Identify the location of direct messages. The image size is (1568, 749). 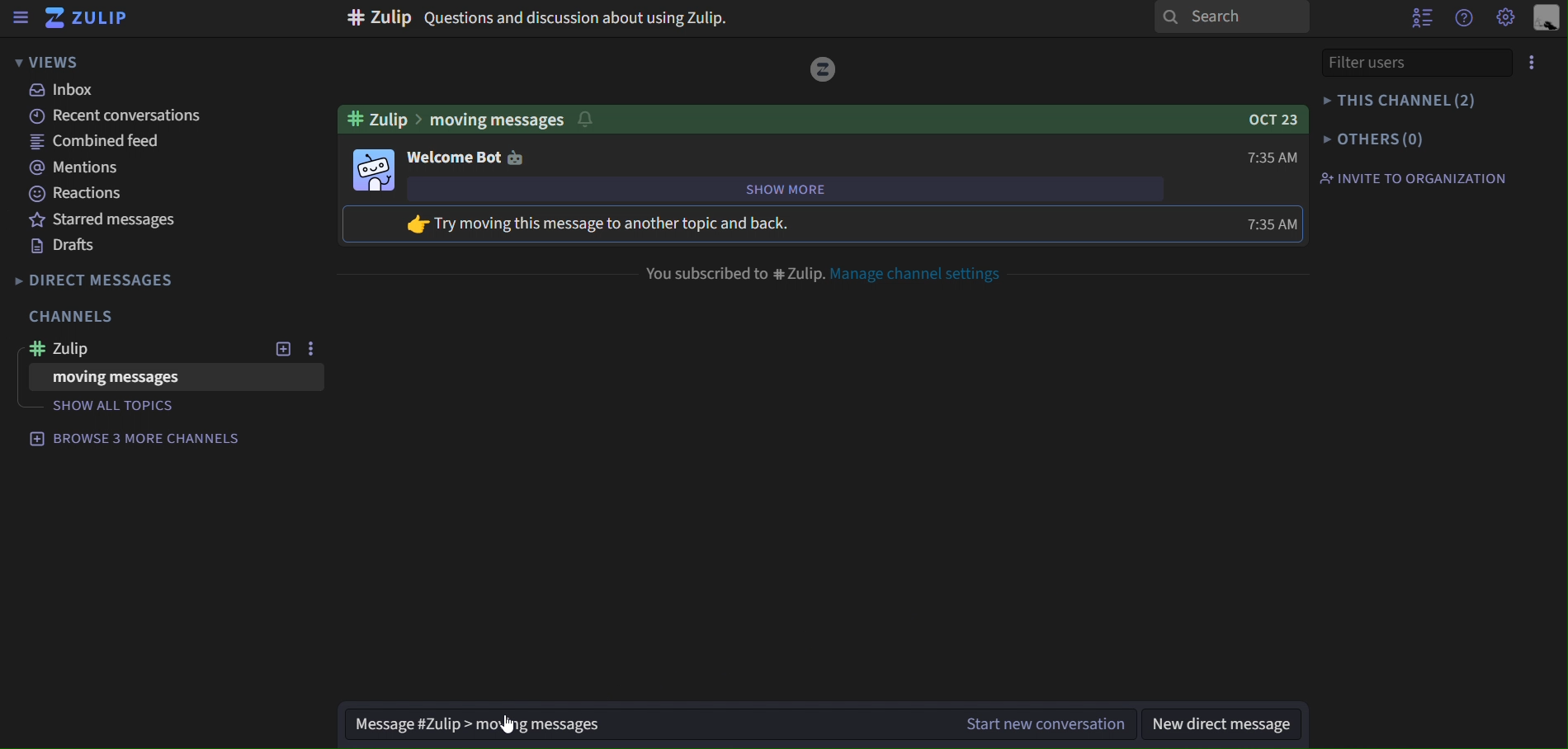
(106, 282).